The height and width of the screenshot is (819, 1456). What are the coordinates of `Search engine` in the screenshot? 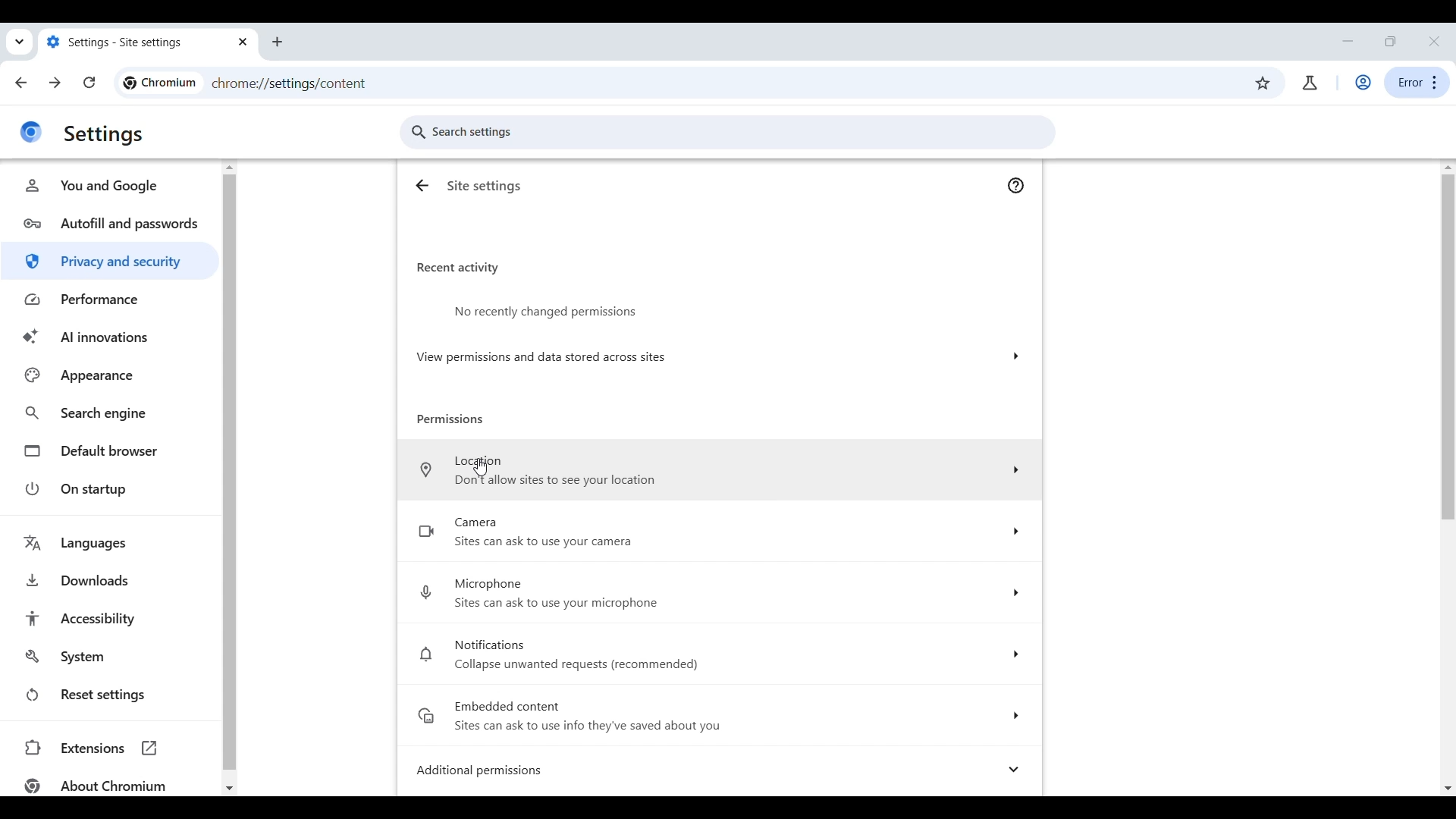 It's located at (110, 412).